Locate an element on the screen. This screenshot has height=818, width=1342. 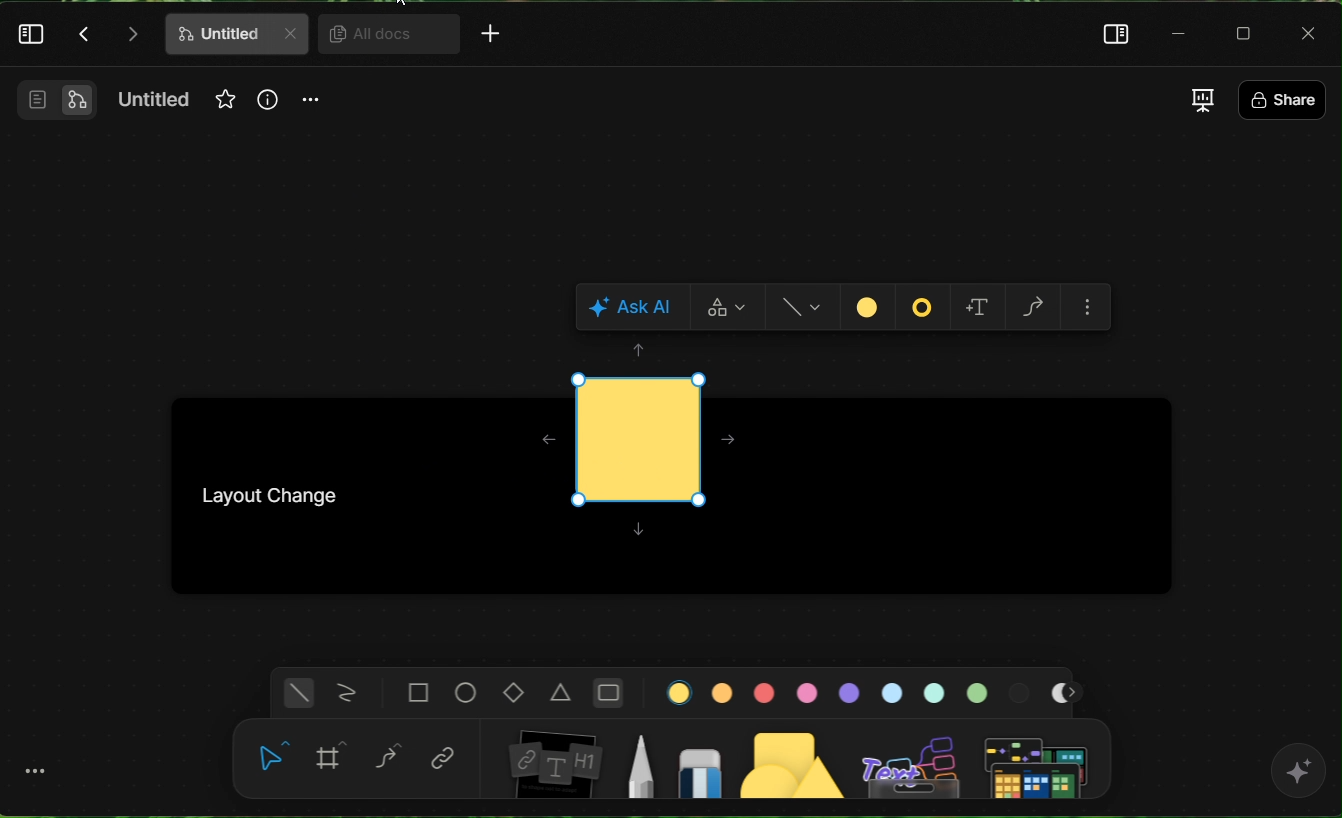
shape is located at coordinates (789, 760).